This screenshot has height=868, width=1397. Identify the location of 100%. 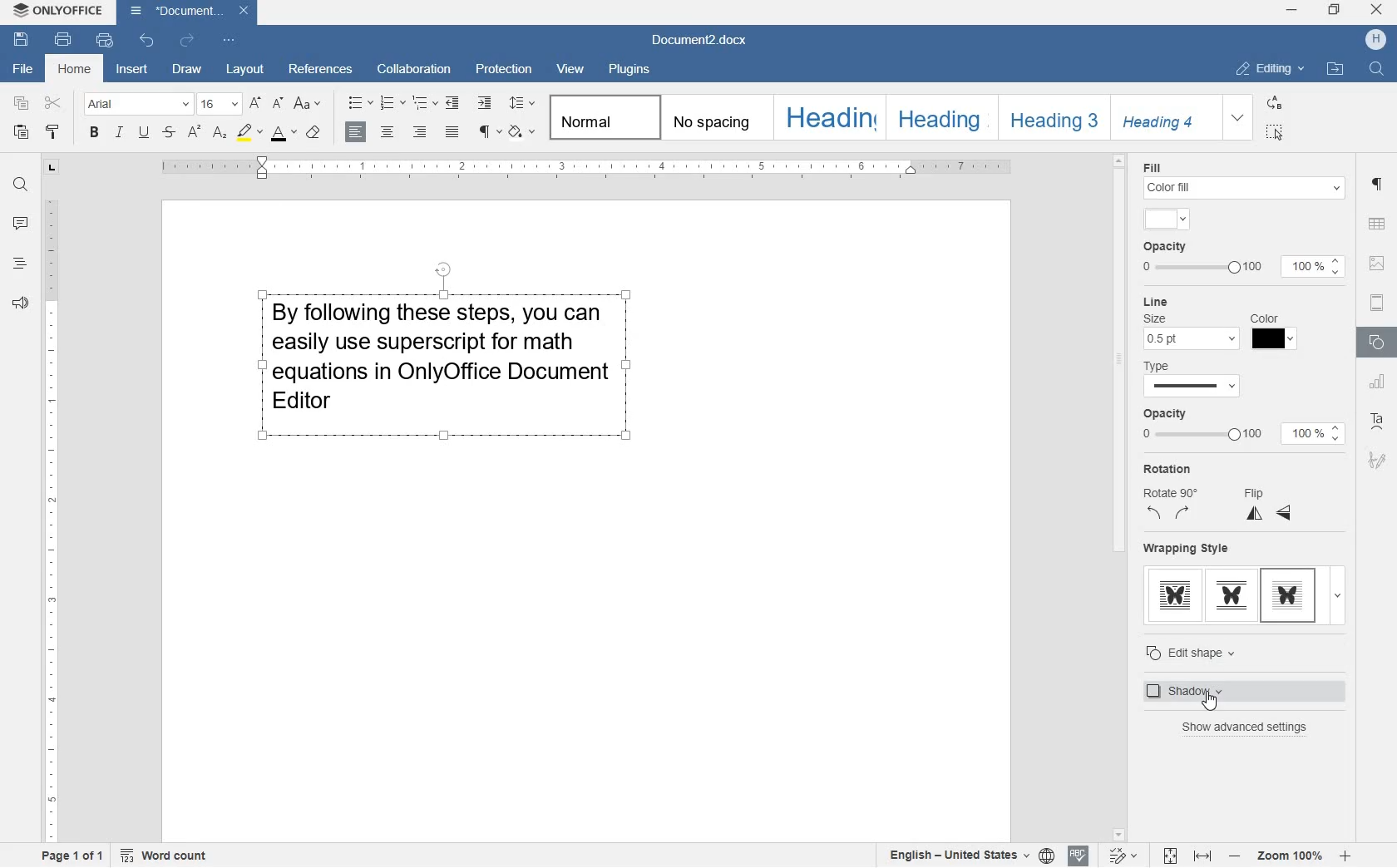
(1311, 266).